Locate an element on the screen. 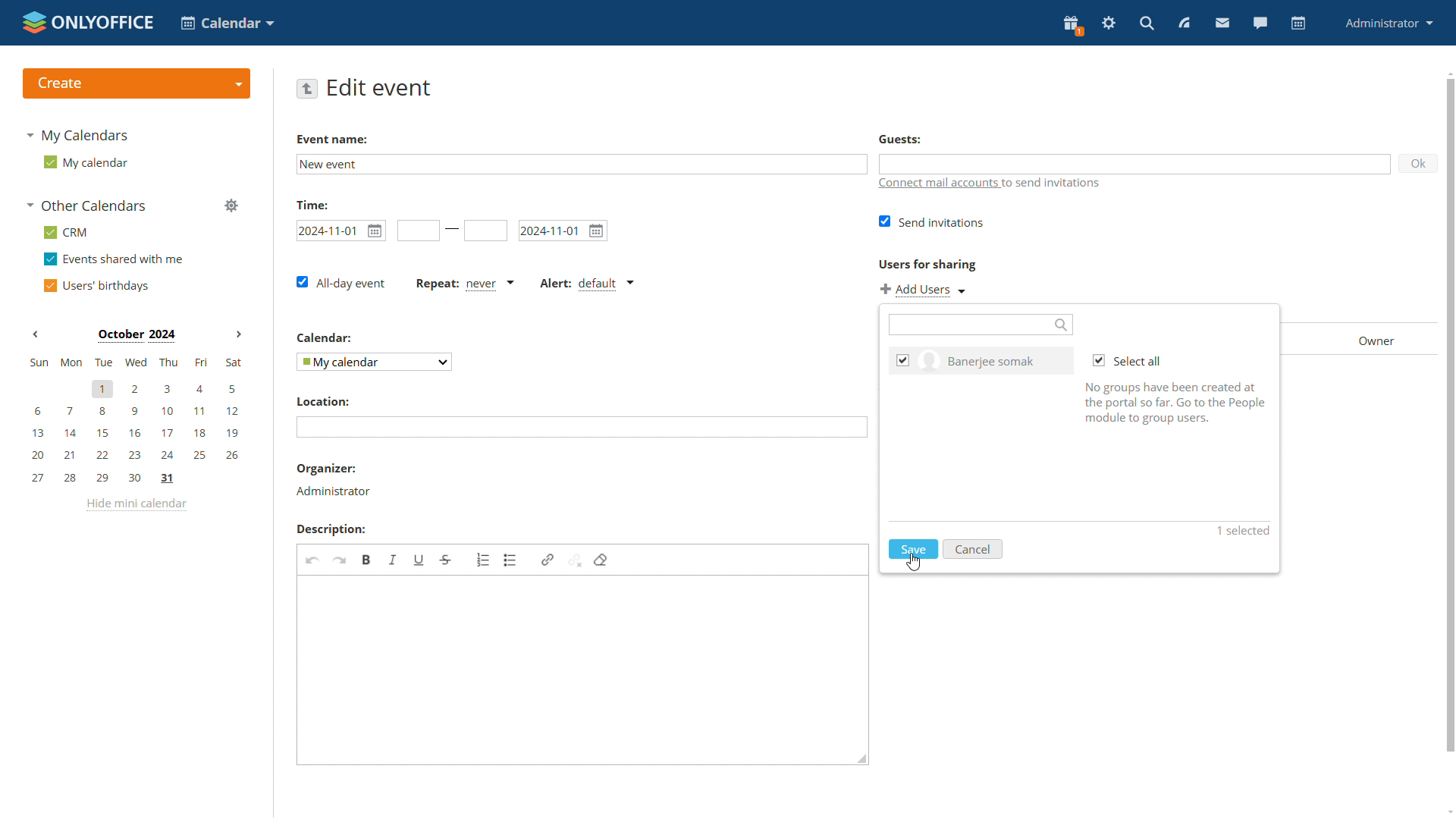 This screenshot has height=819, width=1456. event repetition is located at coordinates (466, 284).